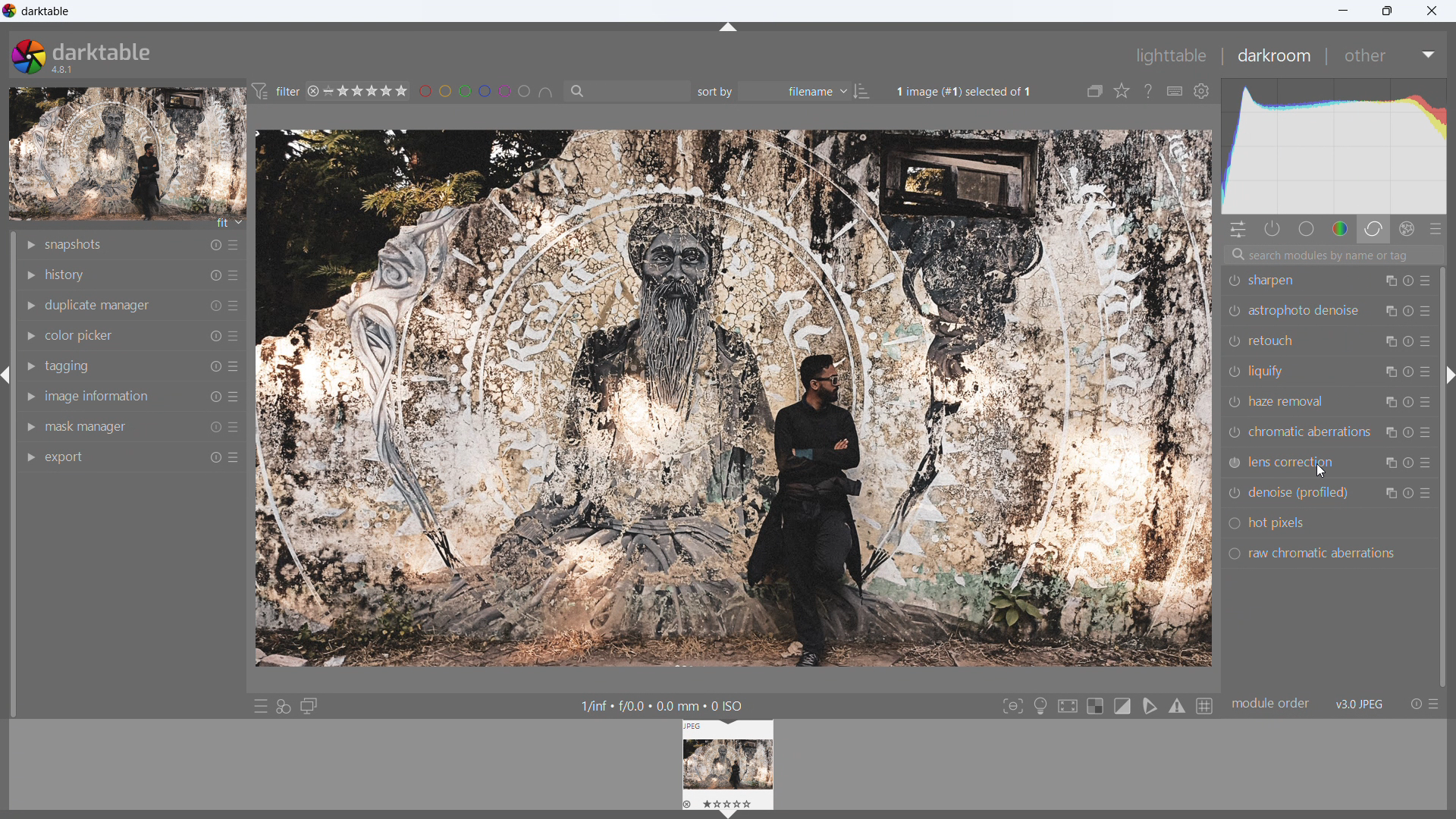  I want to click on reset, so click(1409, 281).